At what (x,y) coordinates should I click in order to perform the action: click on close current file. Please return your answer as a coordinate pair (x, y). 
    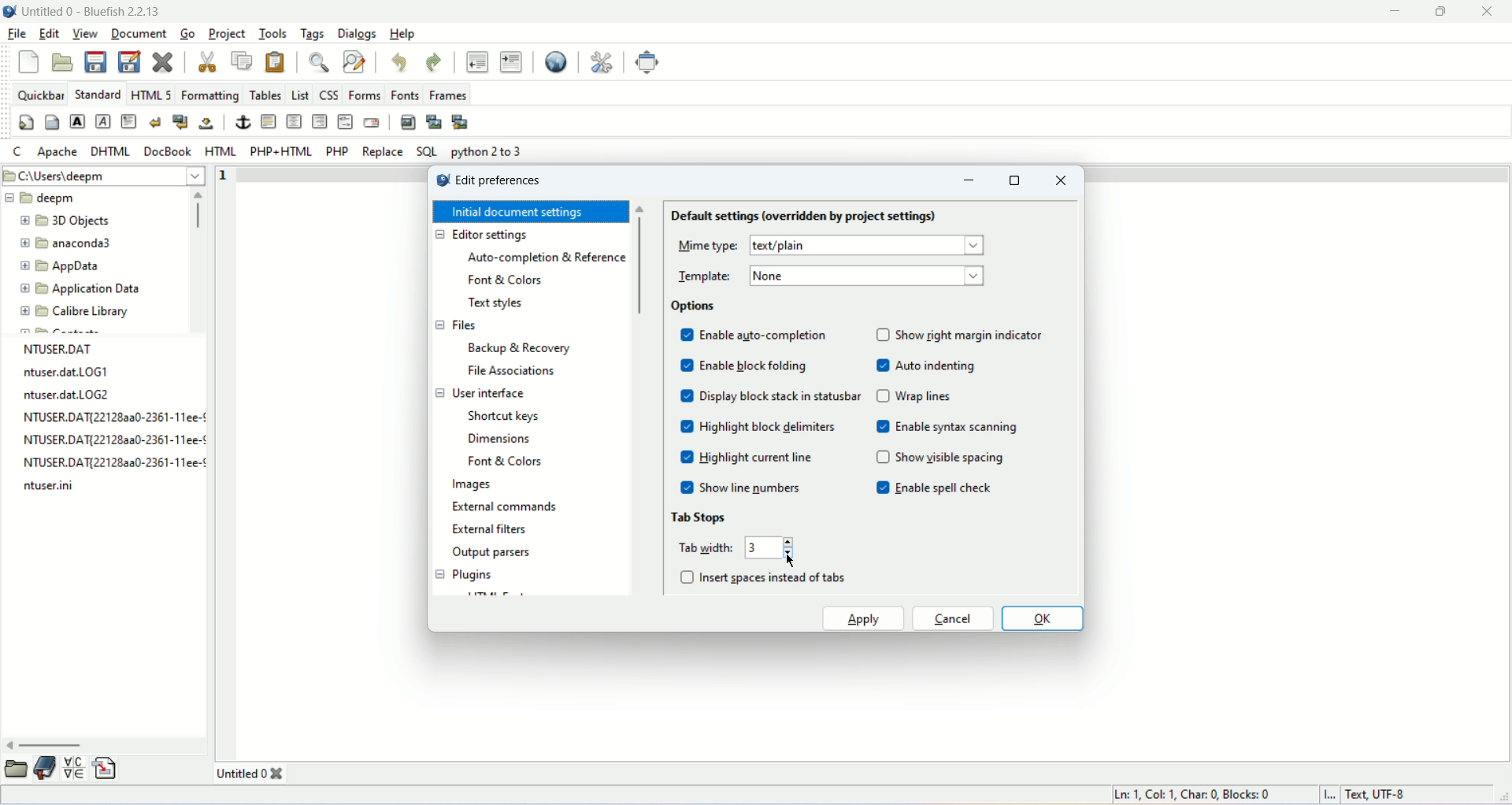
    Looking at the image, I should click on (164, 60).